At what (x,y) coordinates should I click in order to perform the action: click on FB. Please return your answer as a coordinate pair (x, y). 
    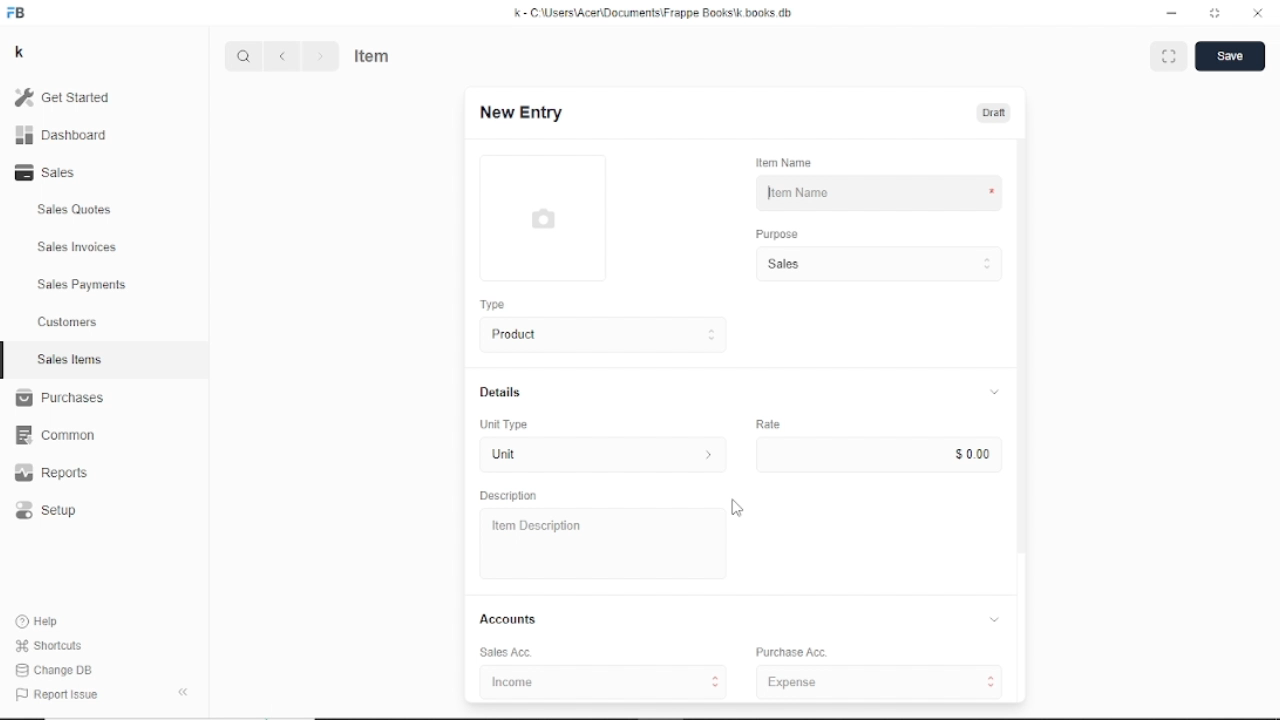
    Looking at the image, I should click on (18, 14).